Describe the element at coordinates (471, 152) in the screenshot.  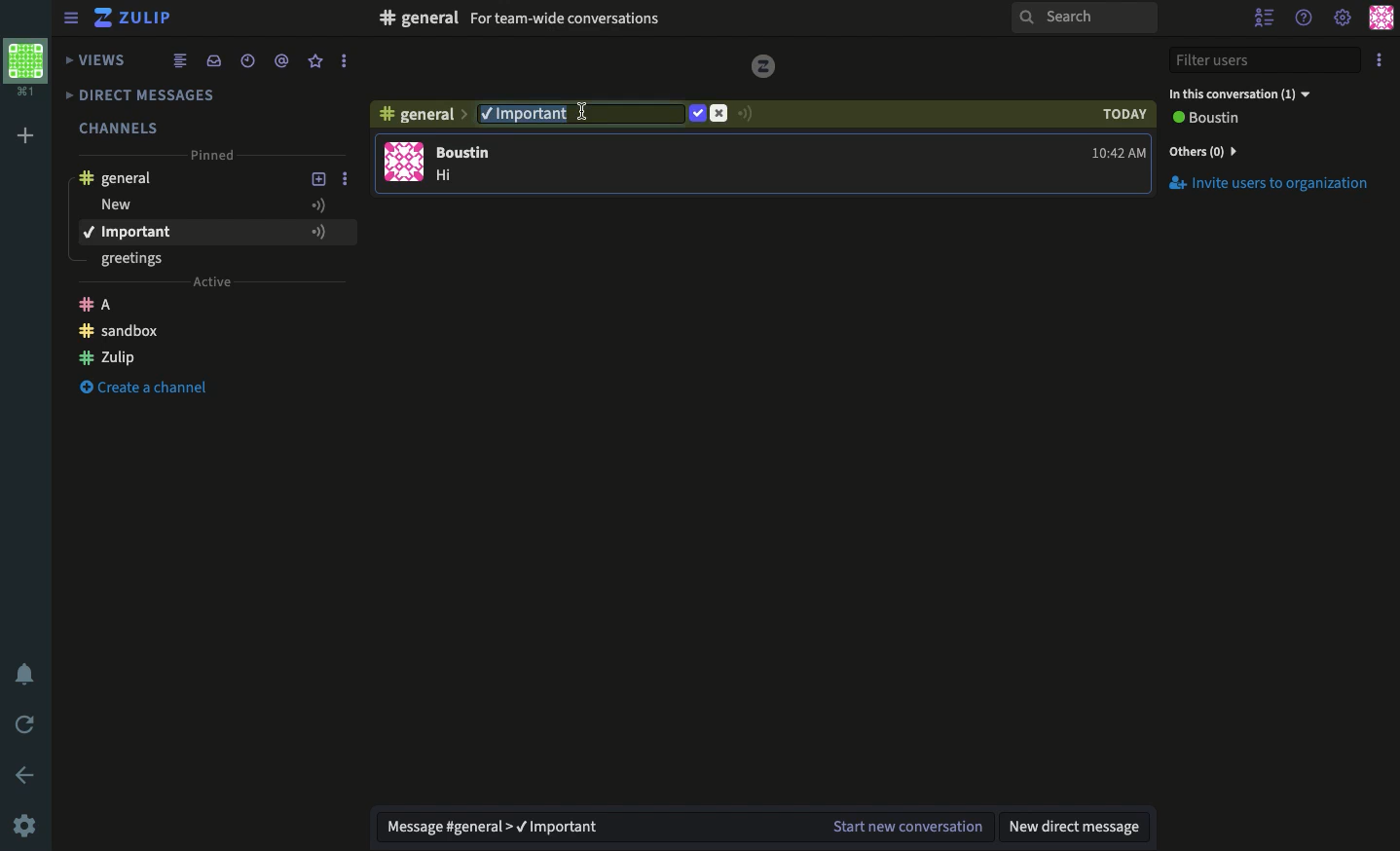
I see `user` at that location.